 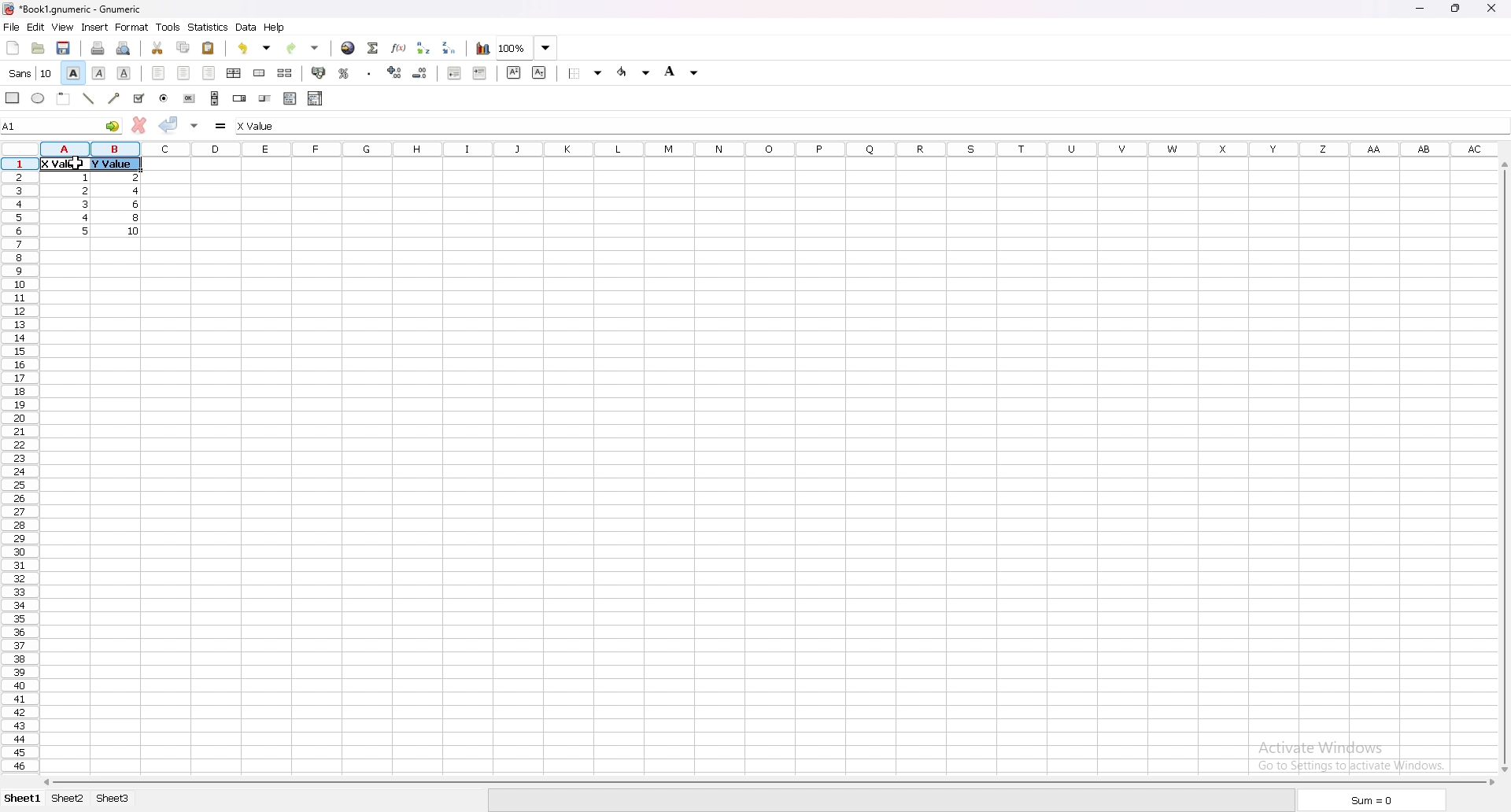 What do you see at coordinates (158, 47) in the screenshot?
I see `cut` at bounding box center [158, 47].